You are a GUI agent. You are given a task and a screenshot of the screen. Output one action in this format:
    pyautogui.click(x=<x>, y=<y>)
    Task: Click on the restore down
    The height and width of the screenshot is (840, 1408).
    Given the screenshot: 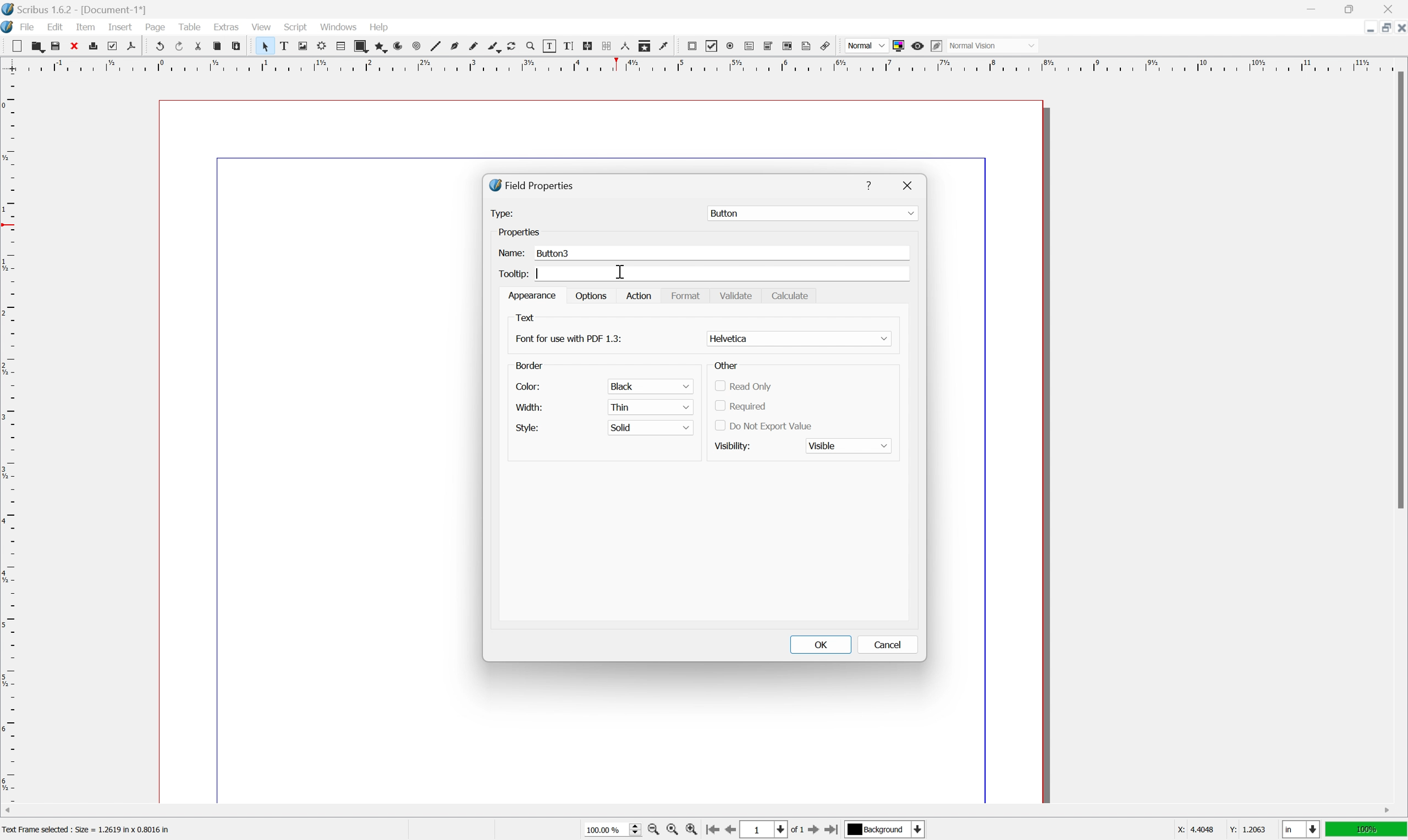 What is the action you would take?
    pyautogui.click(x=1354, y=8)
    